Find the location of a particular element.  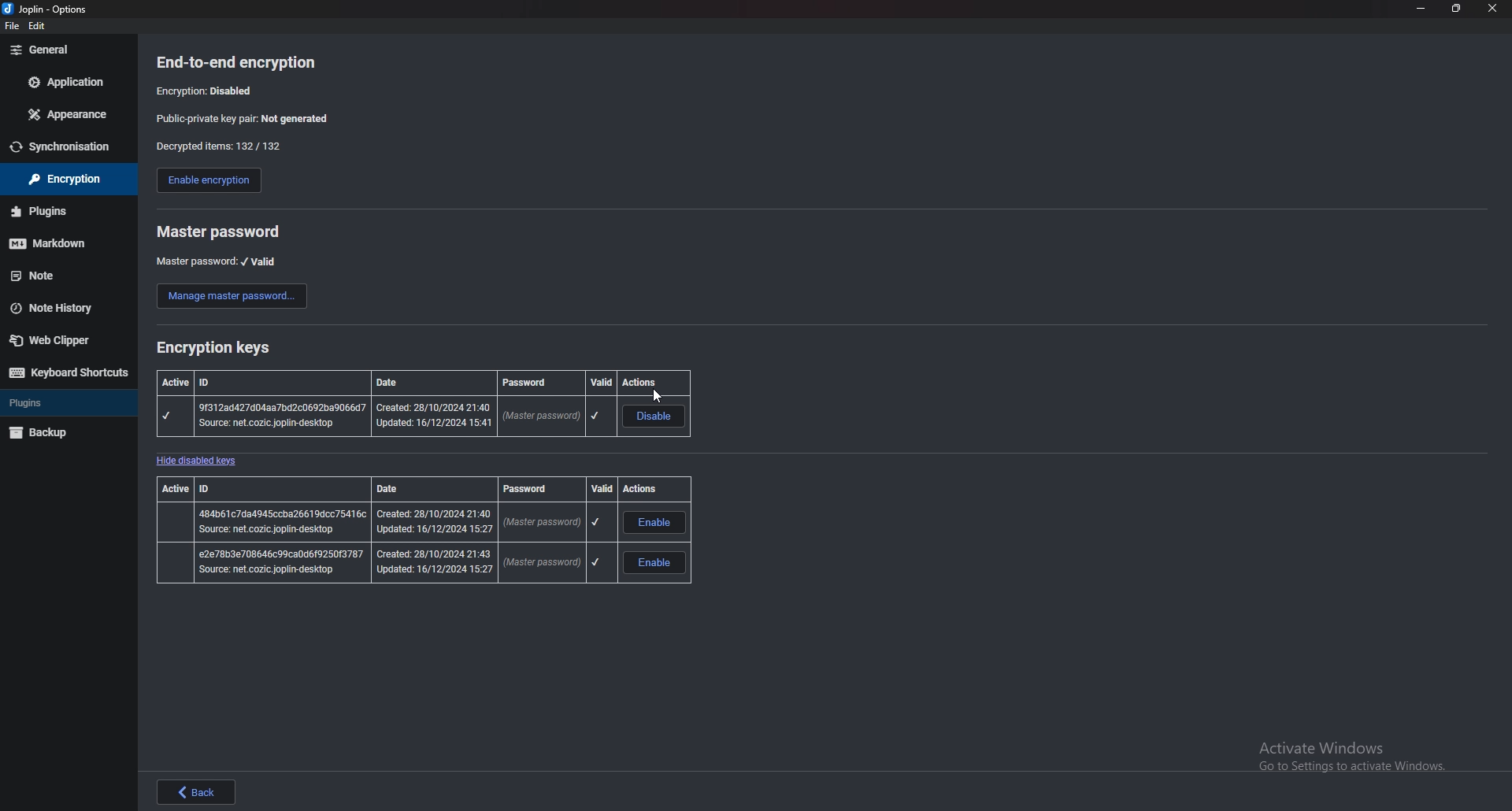

plugins is located at coordinates (61, 402).